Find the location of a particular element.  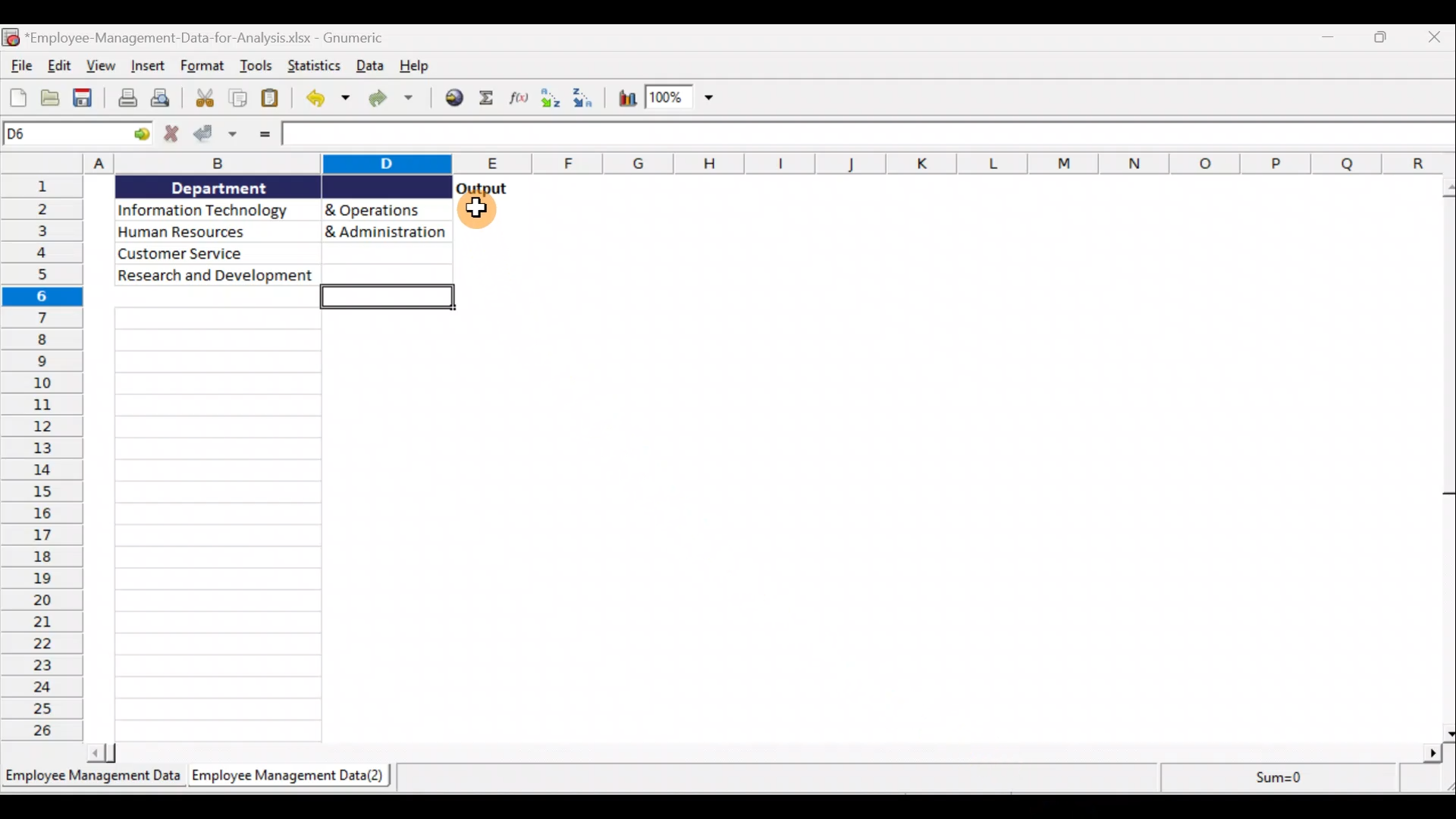

Accept change is located at coordinates (217, 136).